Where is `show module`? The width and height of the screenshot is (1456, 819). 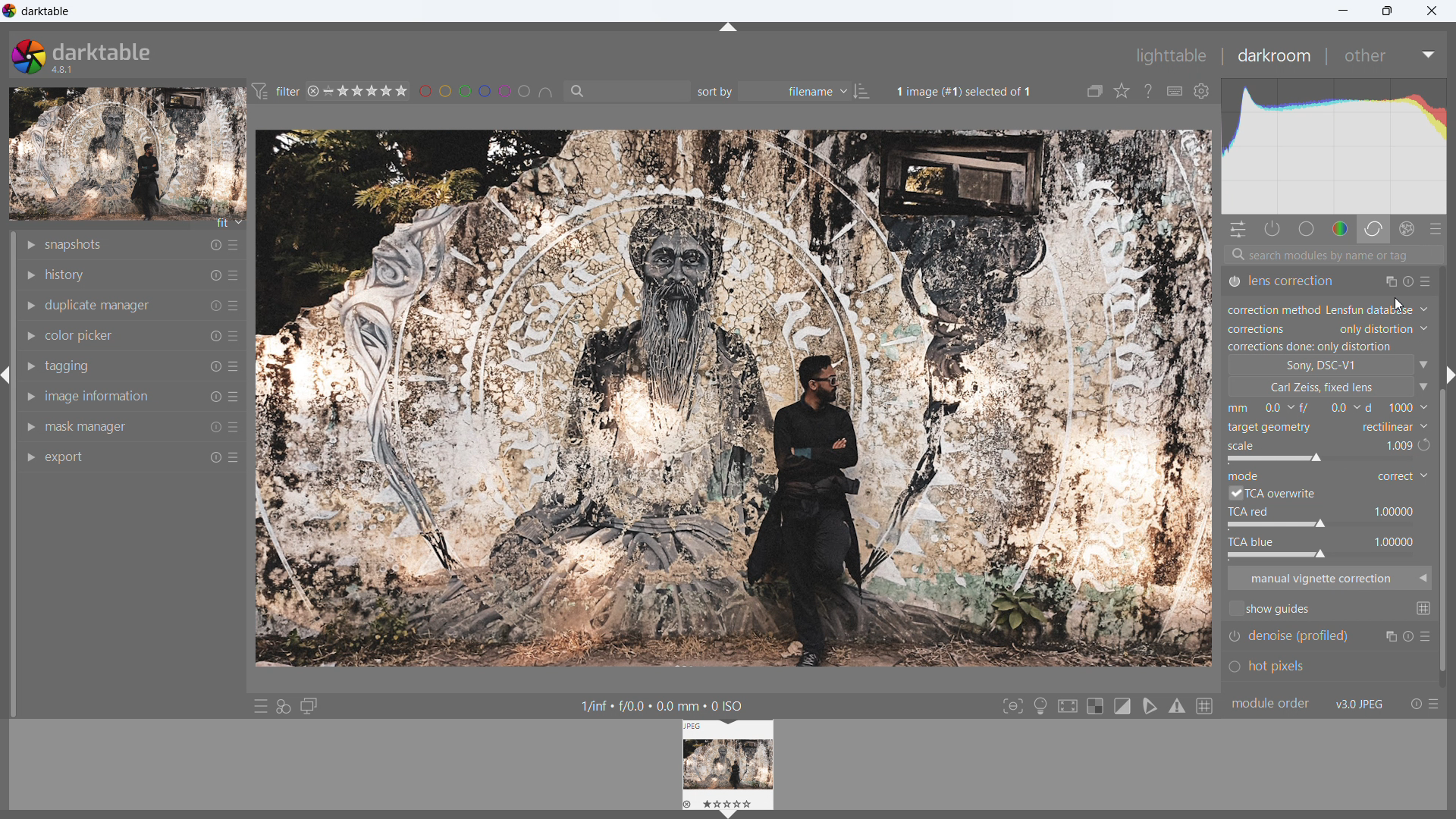
show module is located at coordinates (31, 335).